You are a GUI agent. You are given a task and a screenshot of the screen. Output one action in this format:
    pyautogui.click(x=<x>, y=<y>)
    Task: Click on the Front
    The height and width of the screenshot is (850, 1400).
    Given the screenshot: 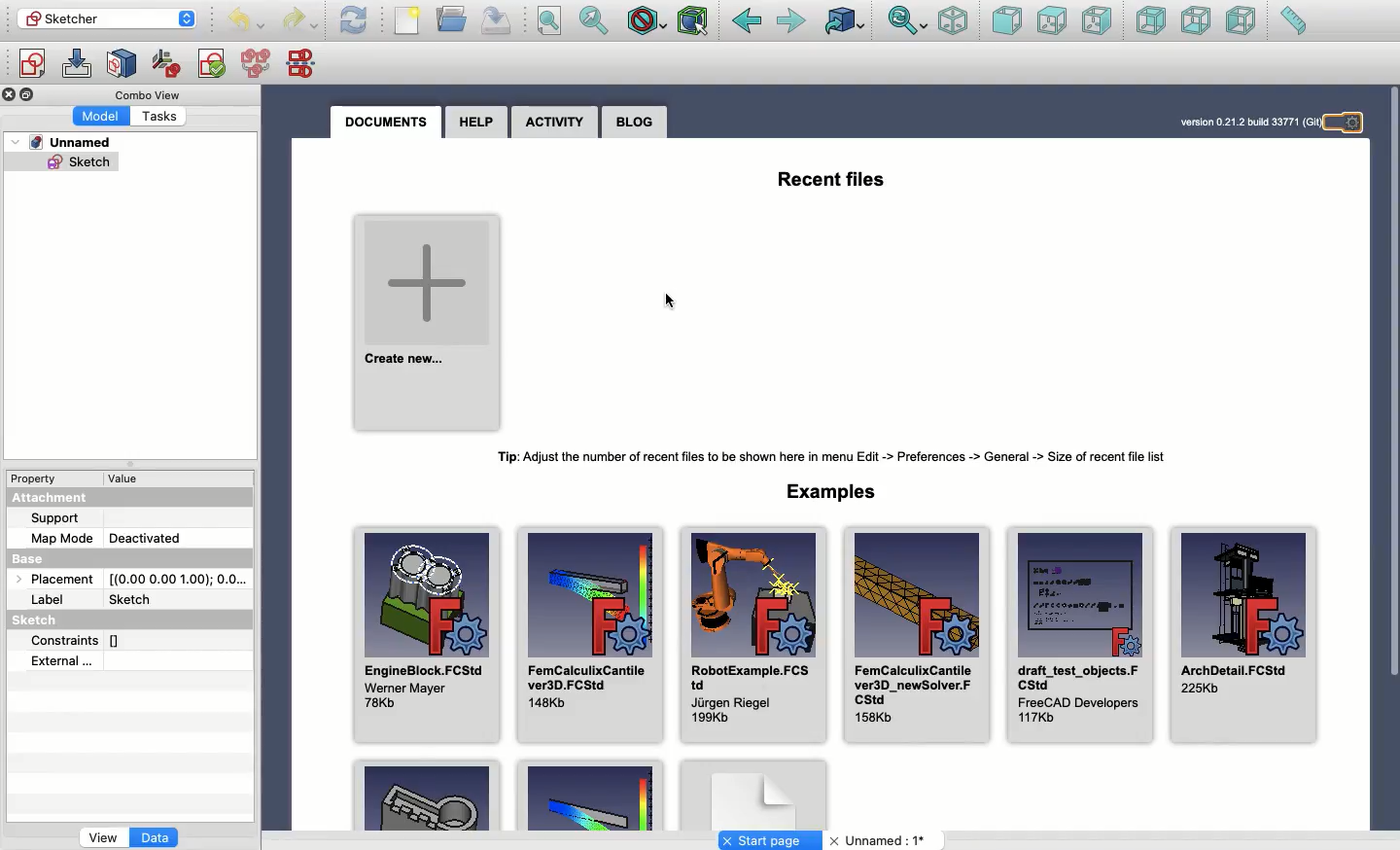 What is the action you would take?
    pyautogui.click(x=1005, y=22)
    